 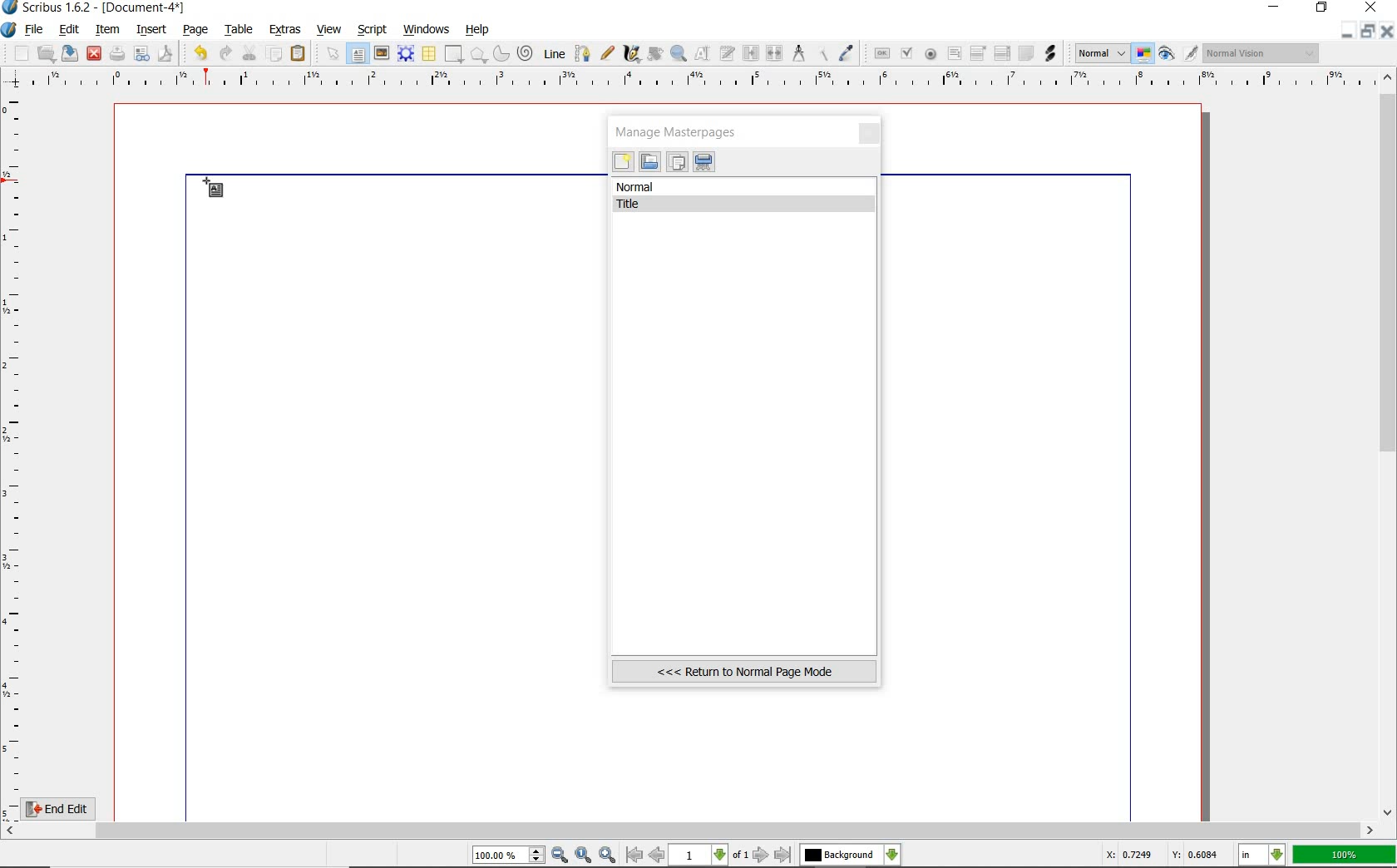 I want to click on preflight verifier, so click(x=142, y=55).